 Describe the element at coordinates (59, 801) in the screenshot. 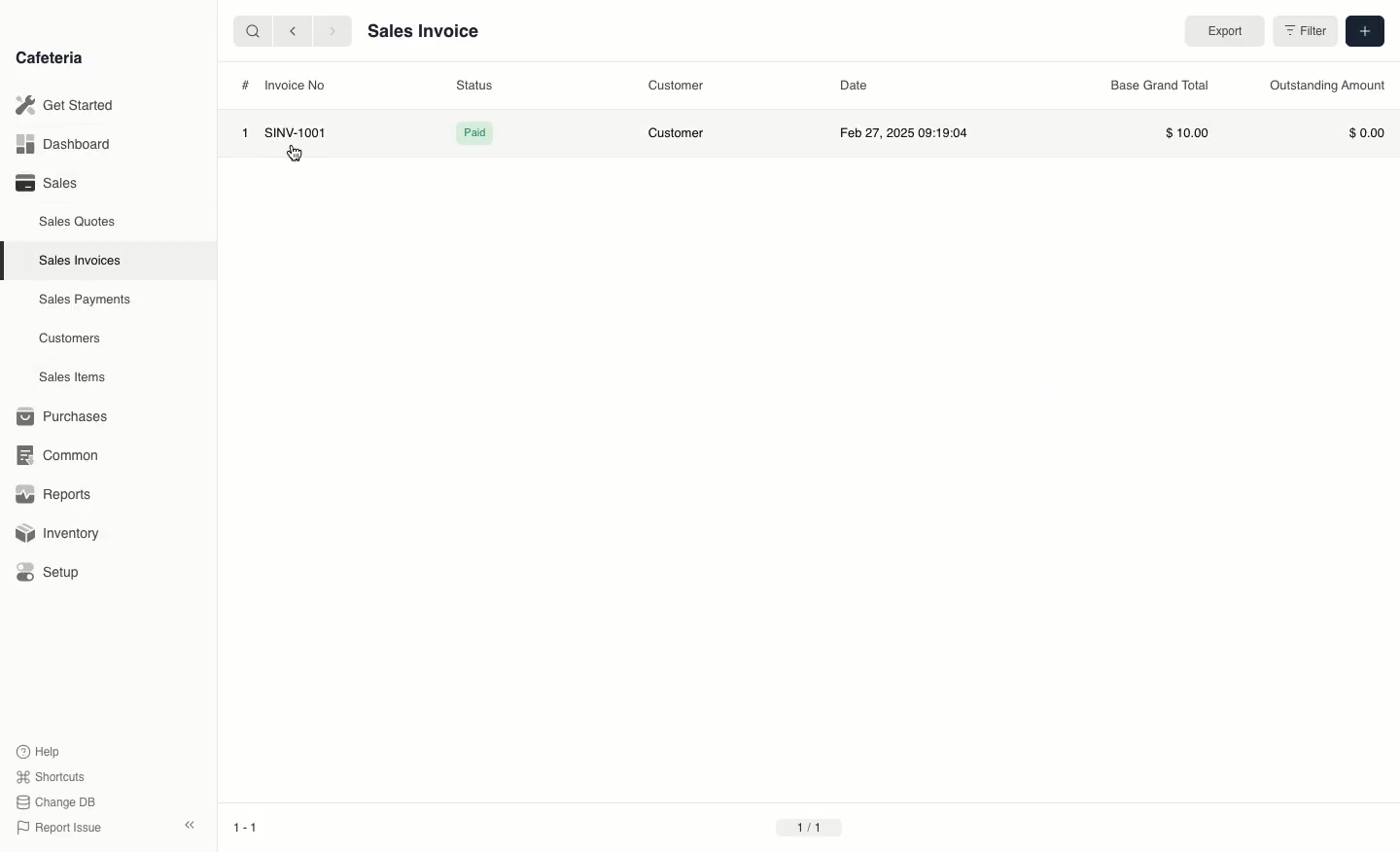

I see `Change DB` at that location.